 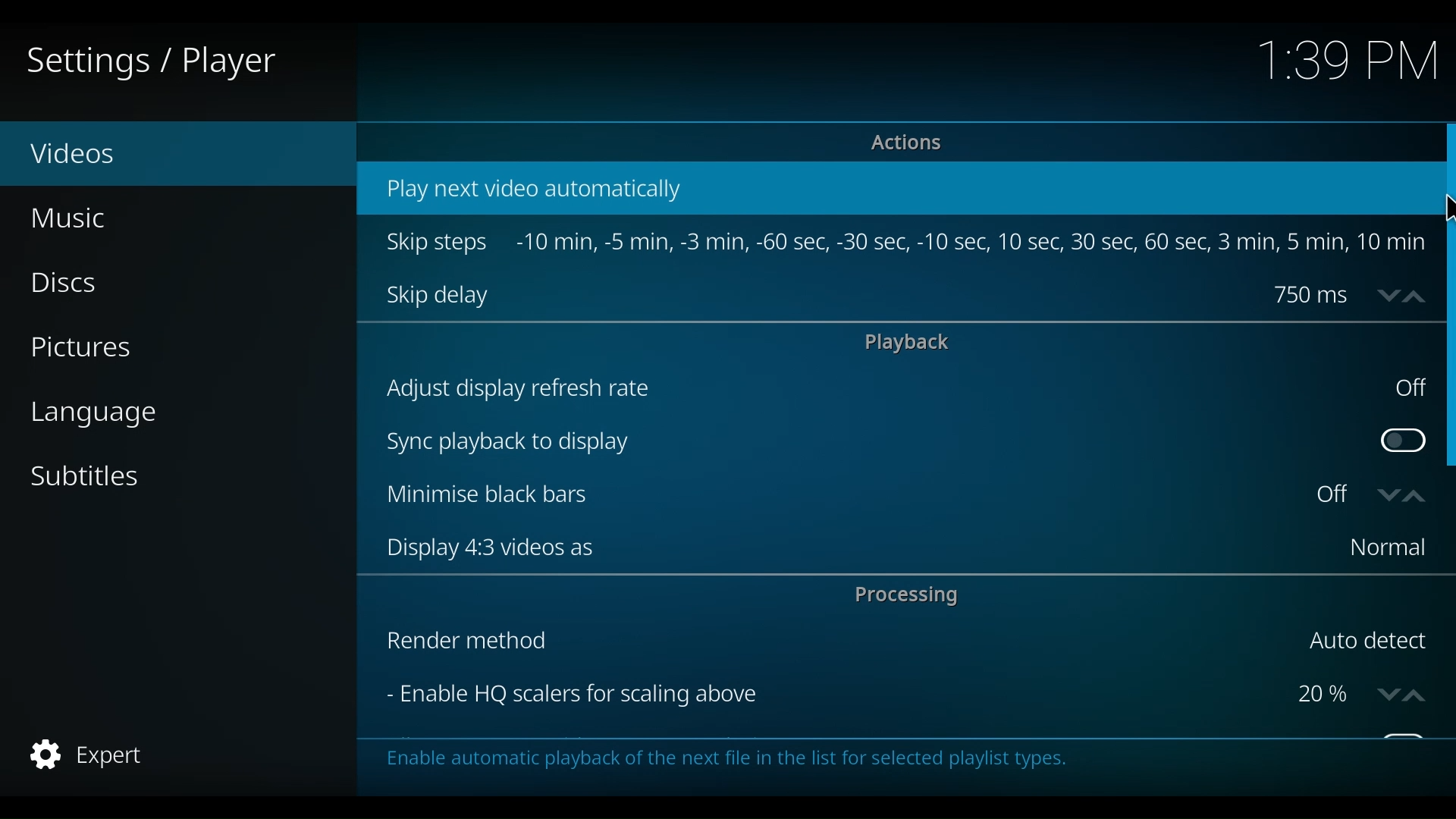 I want to click on up, so click(x=1413, y=494).